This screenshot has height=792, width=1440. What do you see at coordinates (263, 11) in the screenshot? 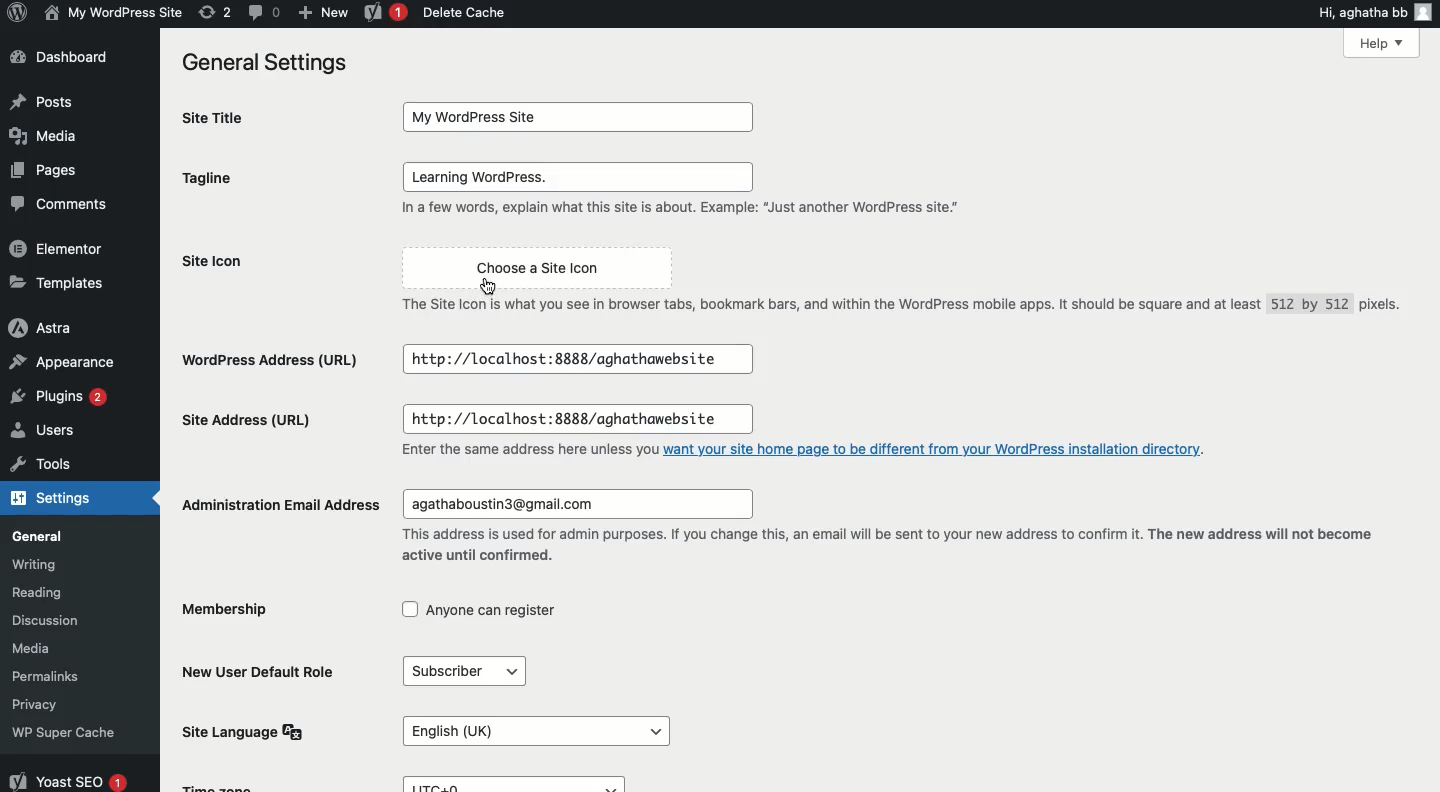
I see `Comment (0)` at bounding box center [263, 11].